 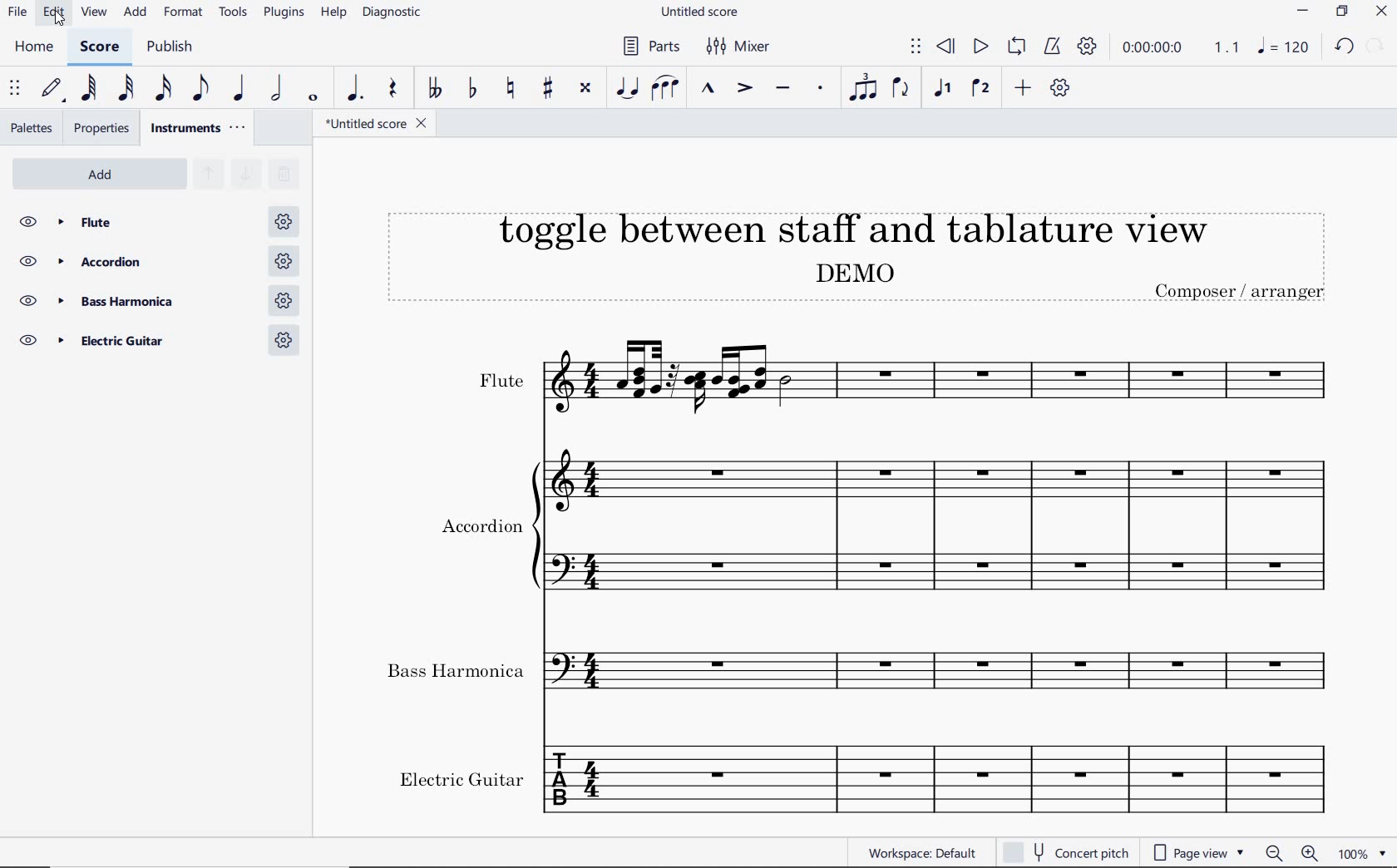 What do you see at coordinates (133, 13) in the screenshot?
I see `add` at bounding box center [133, 13].